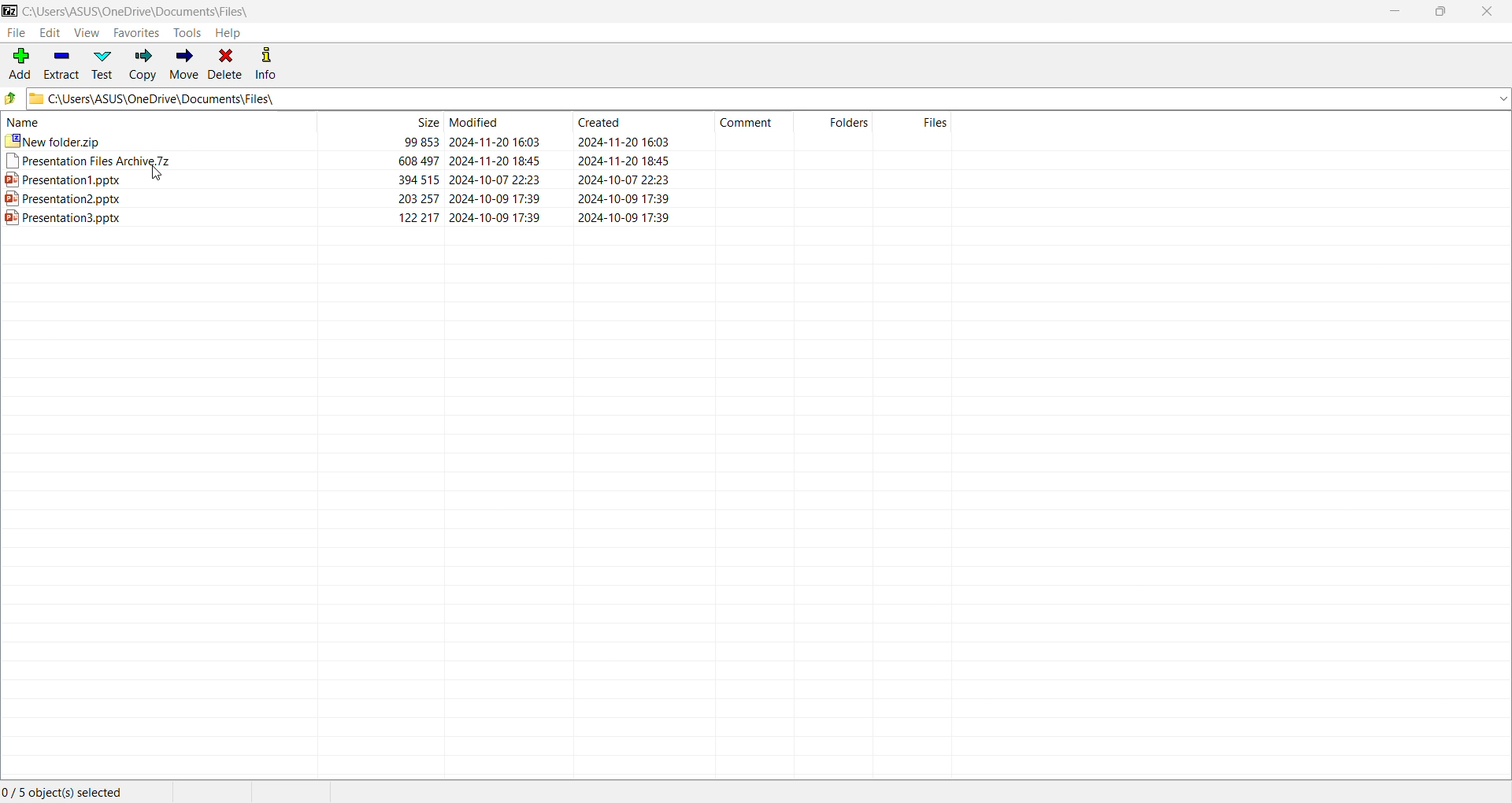 The height and width of the screenshot is (803, 1512). I want to click on name, so click(156, 121).